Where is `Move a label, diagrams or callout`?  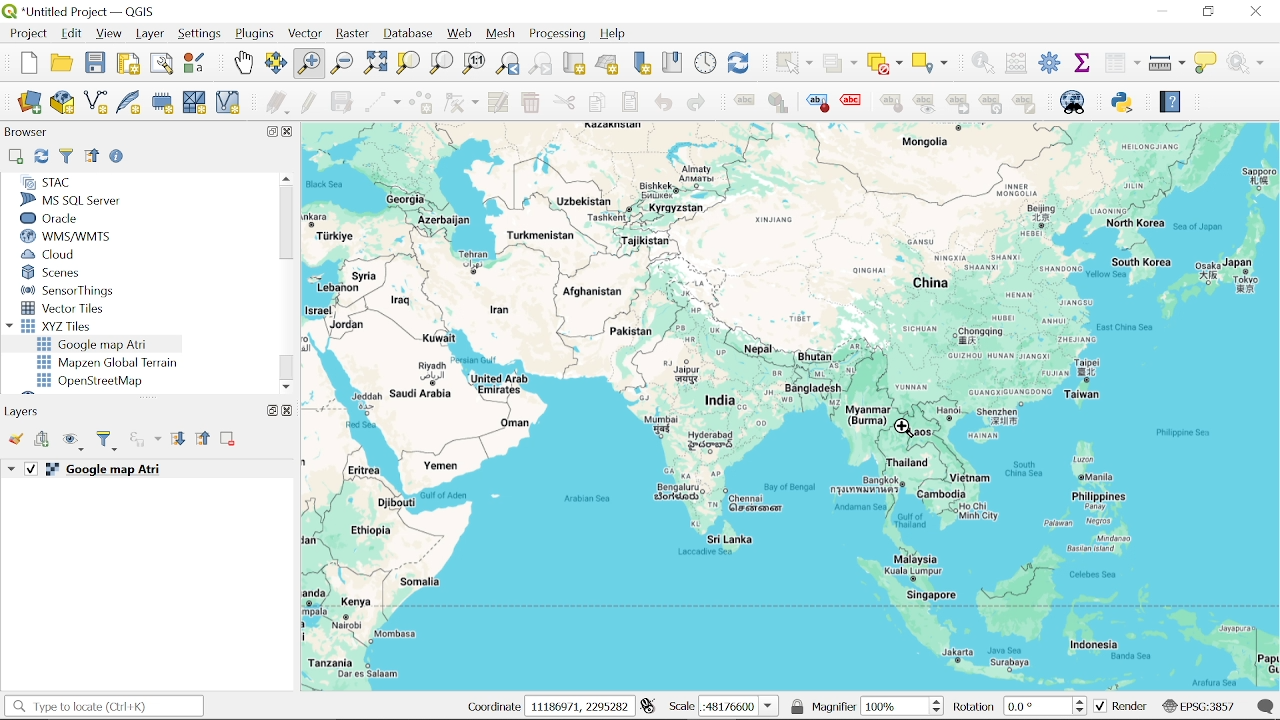 Move a label, diagrams or callout is located at coordinates (957, 107).